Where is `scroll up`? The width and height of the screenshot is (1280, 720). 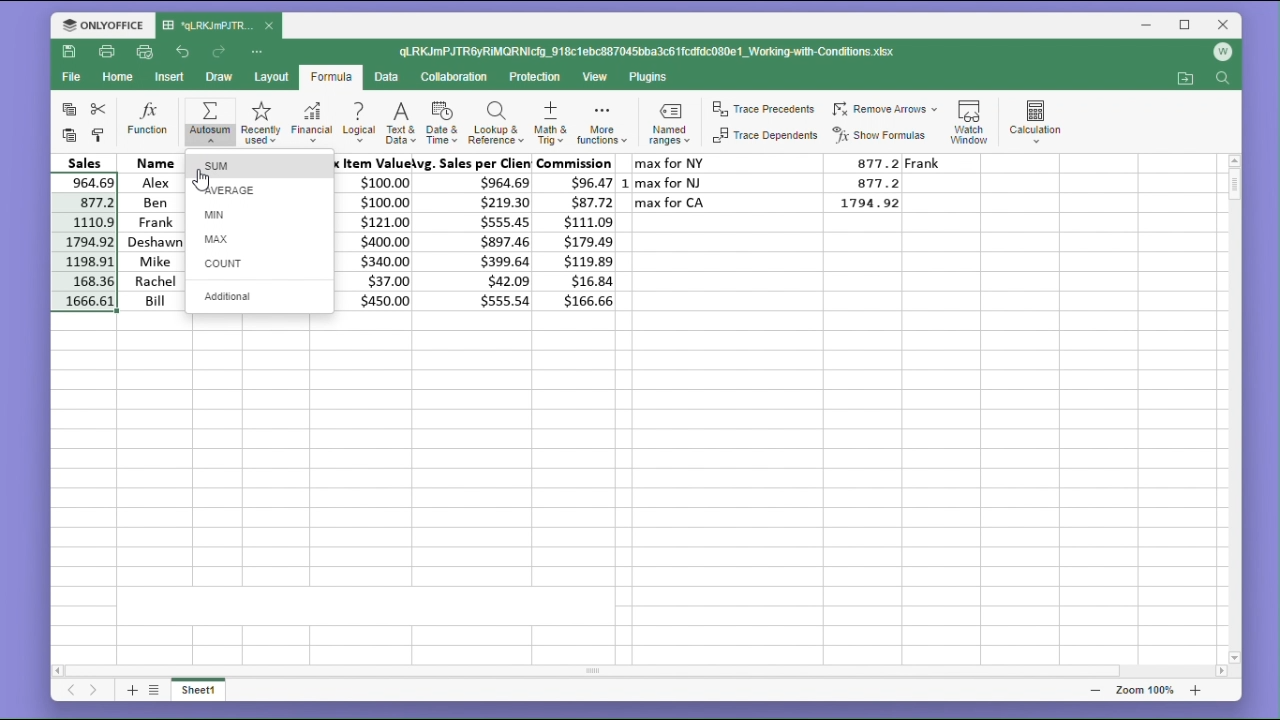
scroll up is located at coordinates (1234, 160).